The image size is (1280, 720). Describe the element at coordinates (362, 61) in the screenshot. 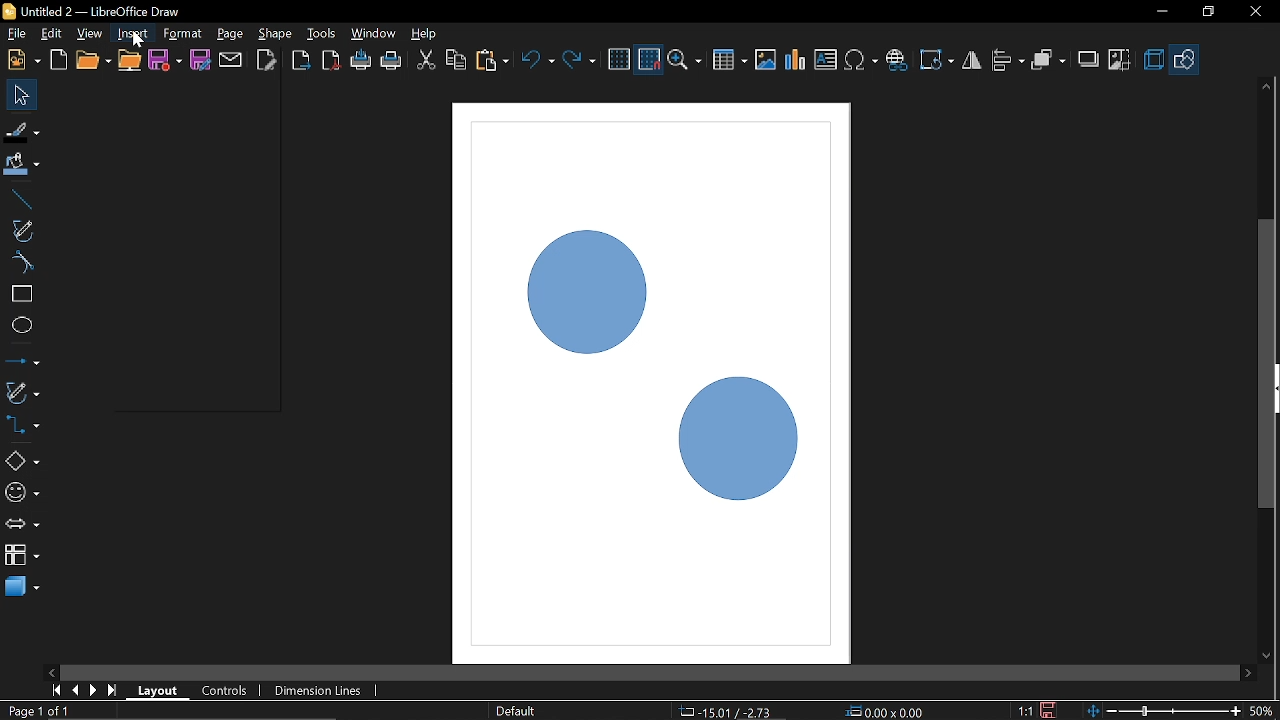

I see `print ` at that location.